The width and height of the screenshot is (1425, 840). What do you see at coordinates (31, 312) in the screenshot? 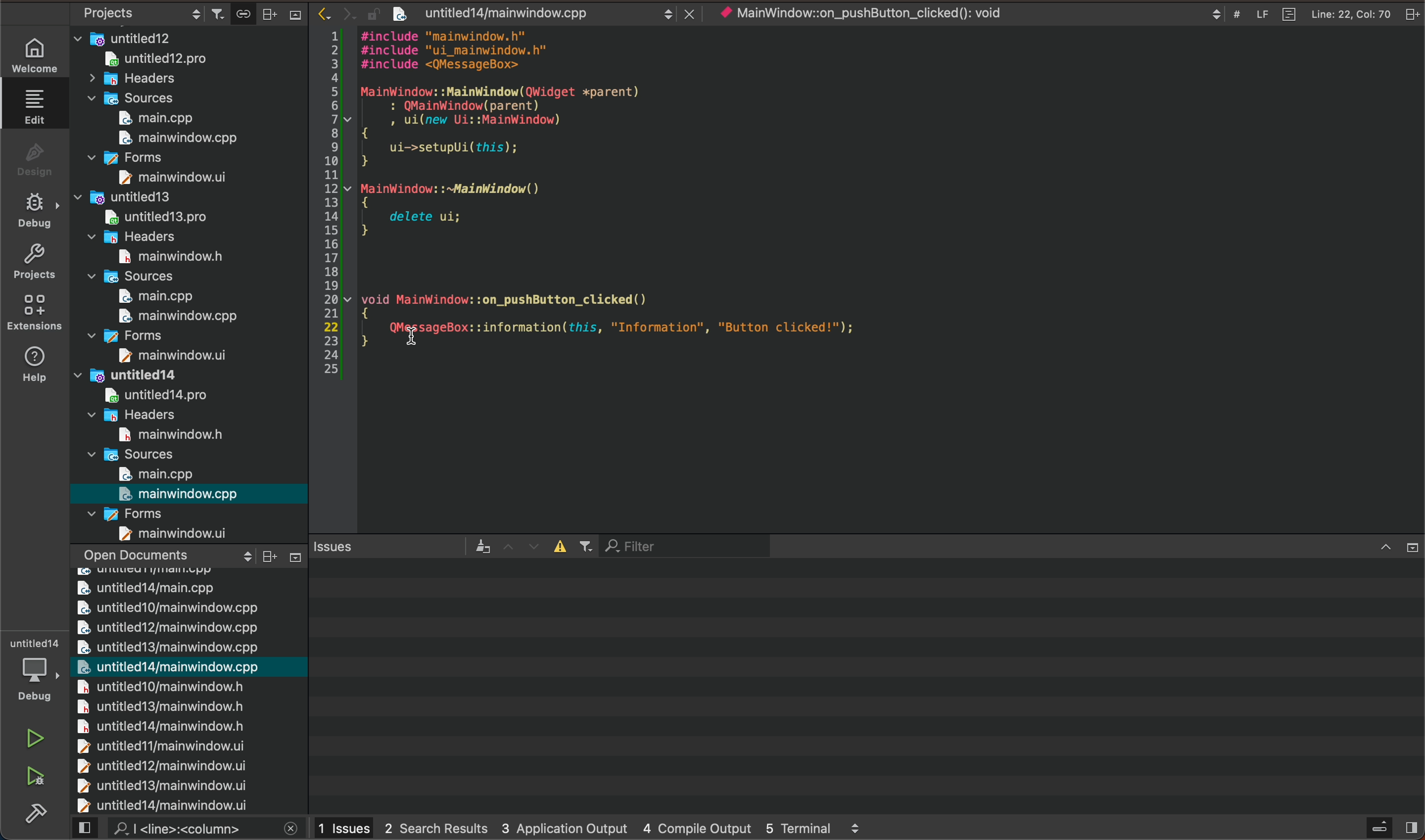
I see `Extensions` at bounding box center [31, 312].